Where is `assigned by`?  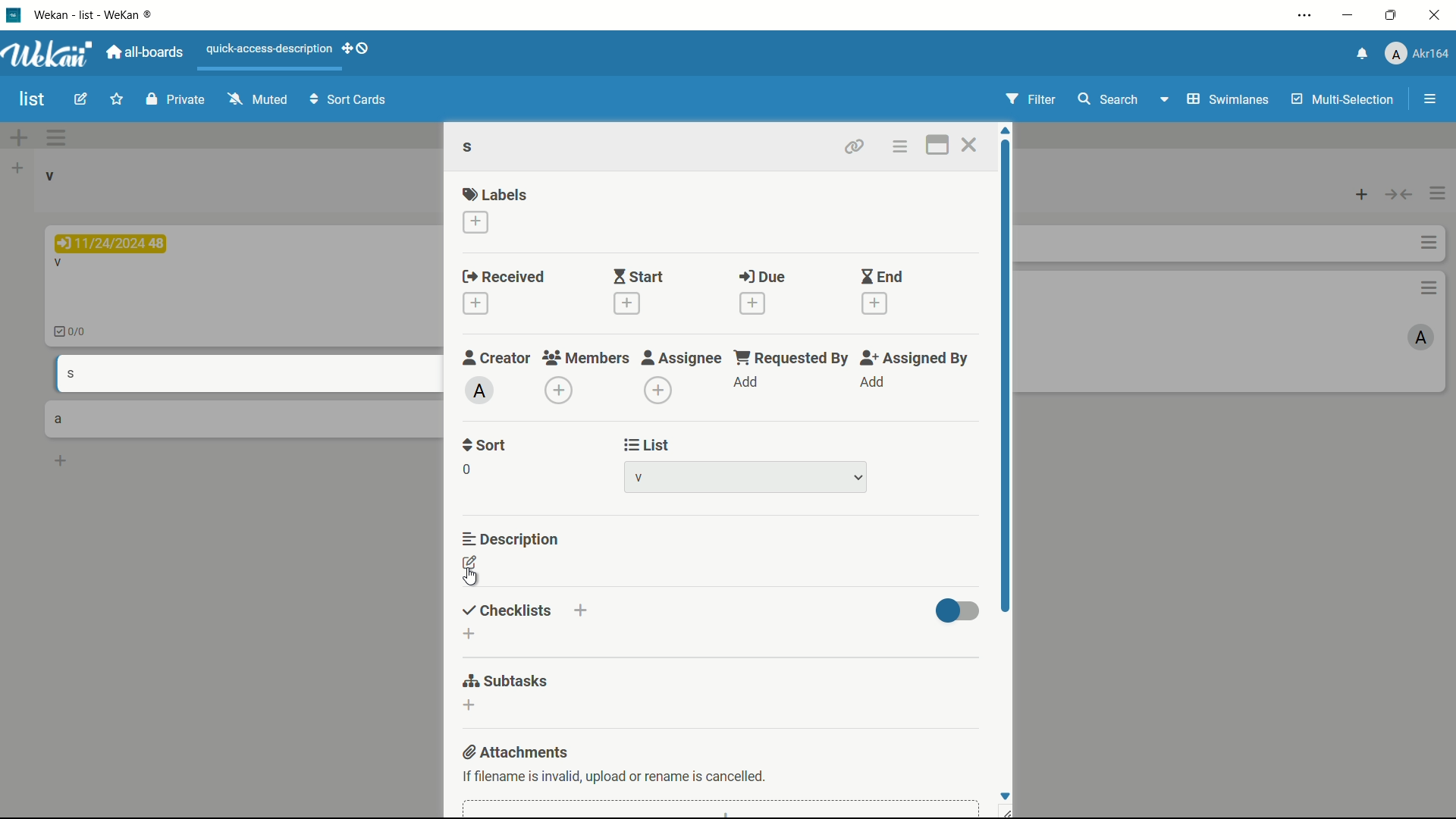 assigned by is located at coordinates (918, 359).